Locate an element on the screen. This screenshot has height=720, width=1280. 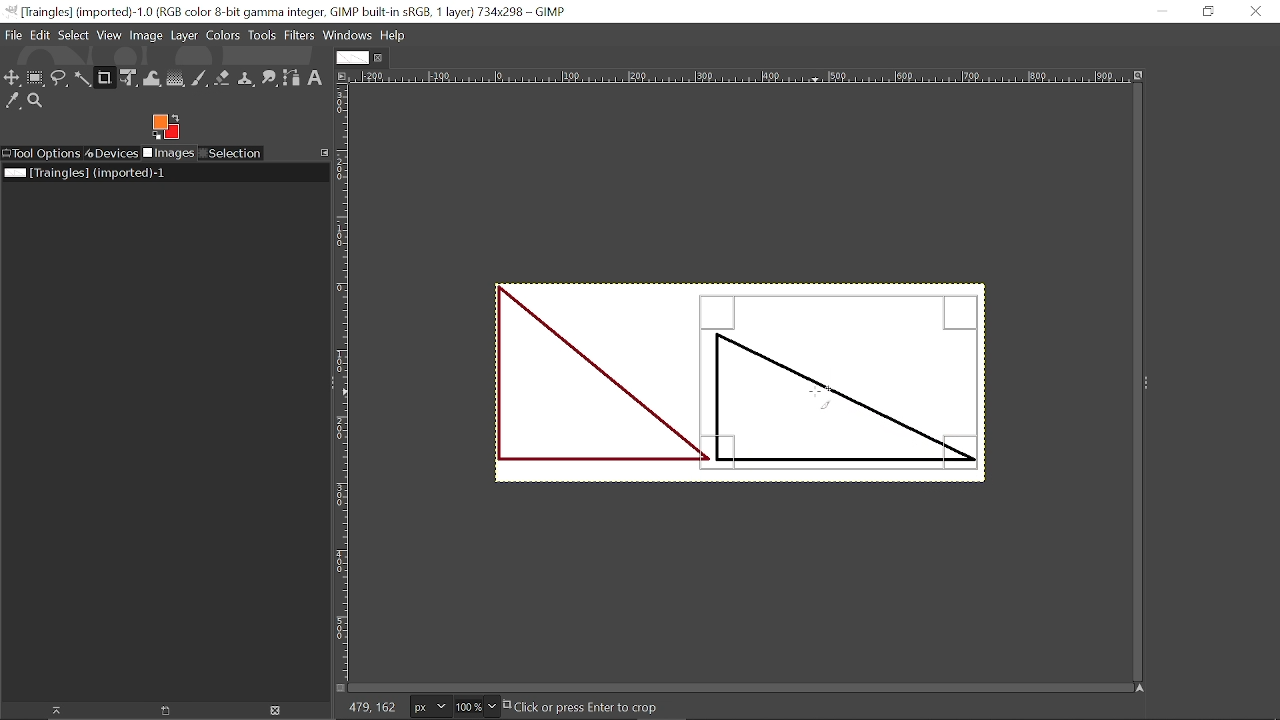
Delete image is located at coordinates (281, 711).